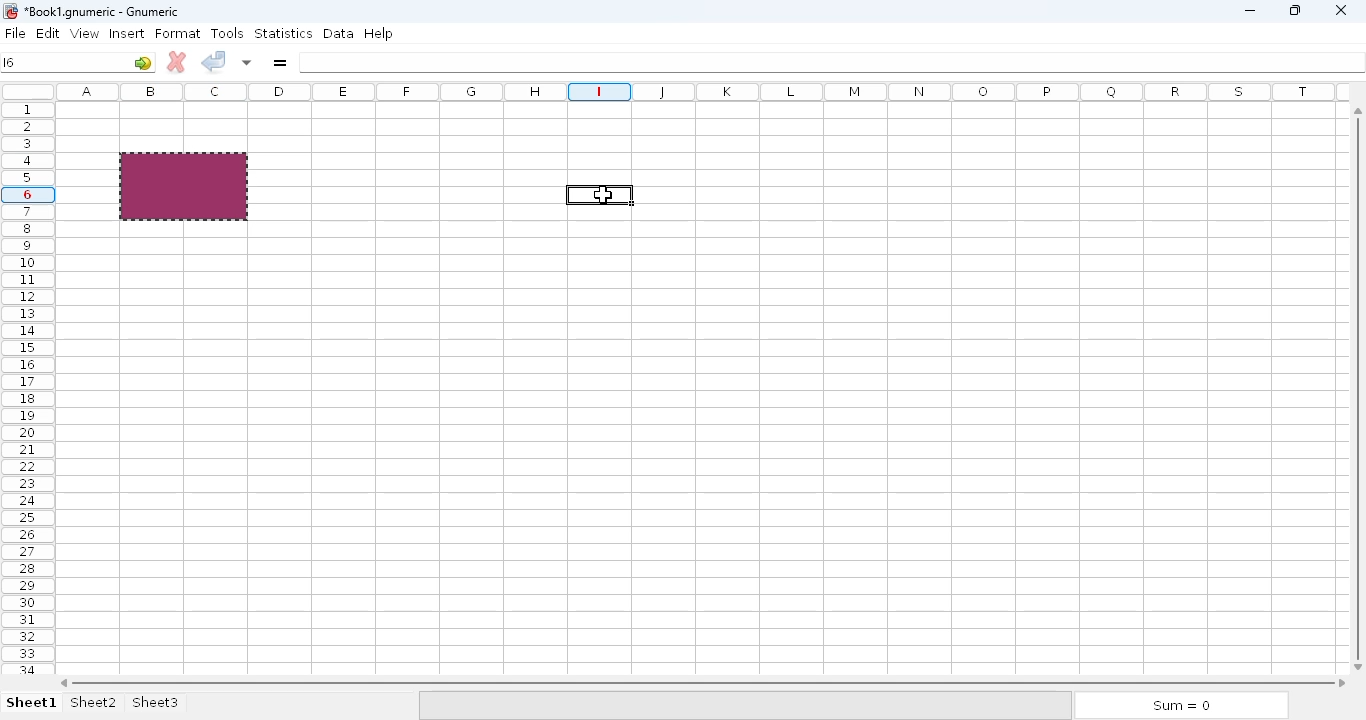  What do you see at coordinates (283, 33) in the screenshot?
I see `statistics` at bounding box center [283, 33].